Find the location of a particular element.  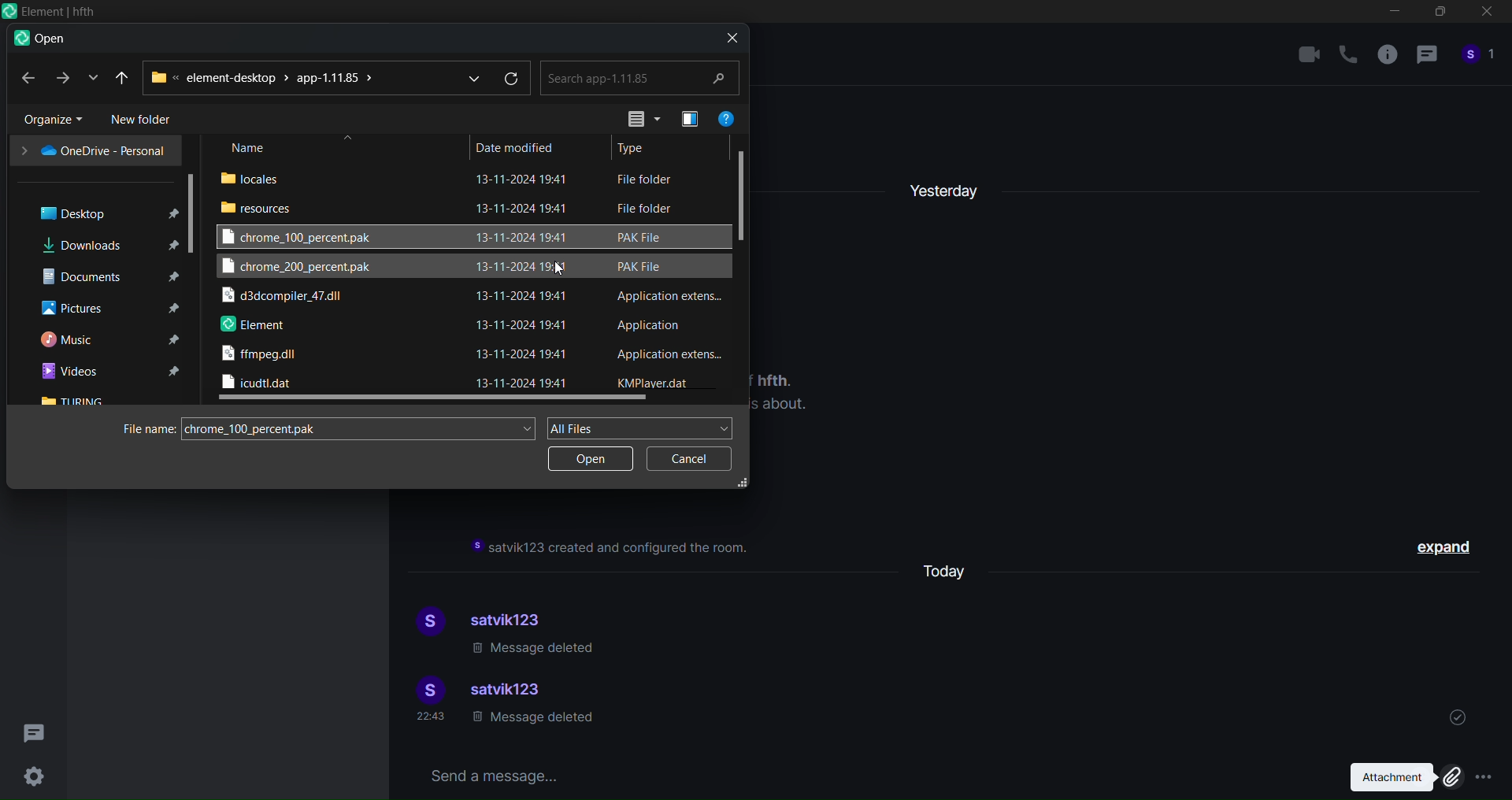

maximize is located at coordinates (1438, 15).